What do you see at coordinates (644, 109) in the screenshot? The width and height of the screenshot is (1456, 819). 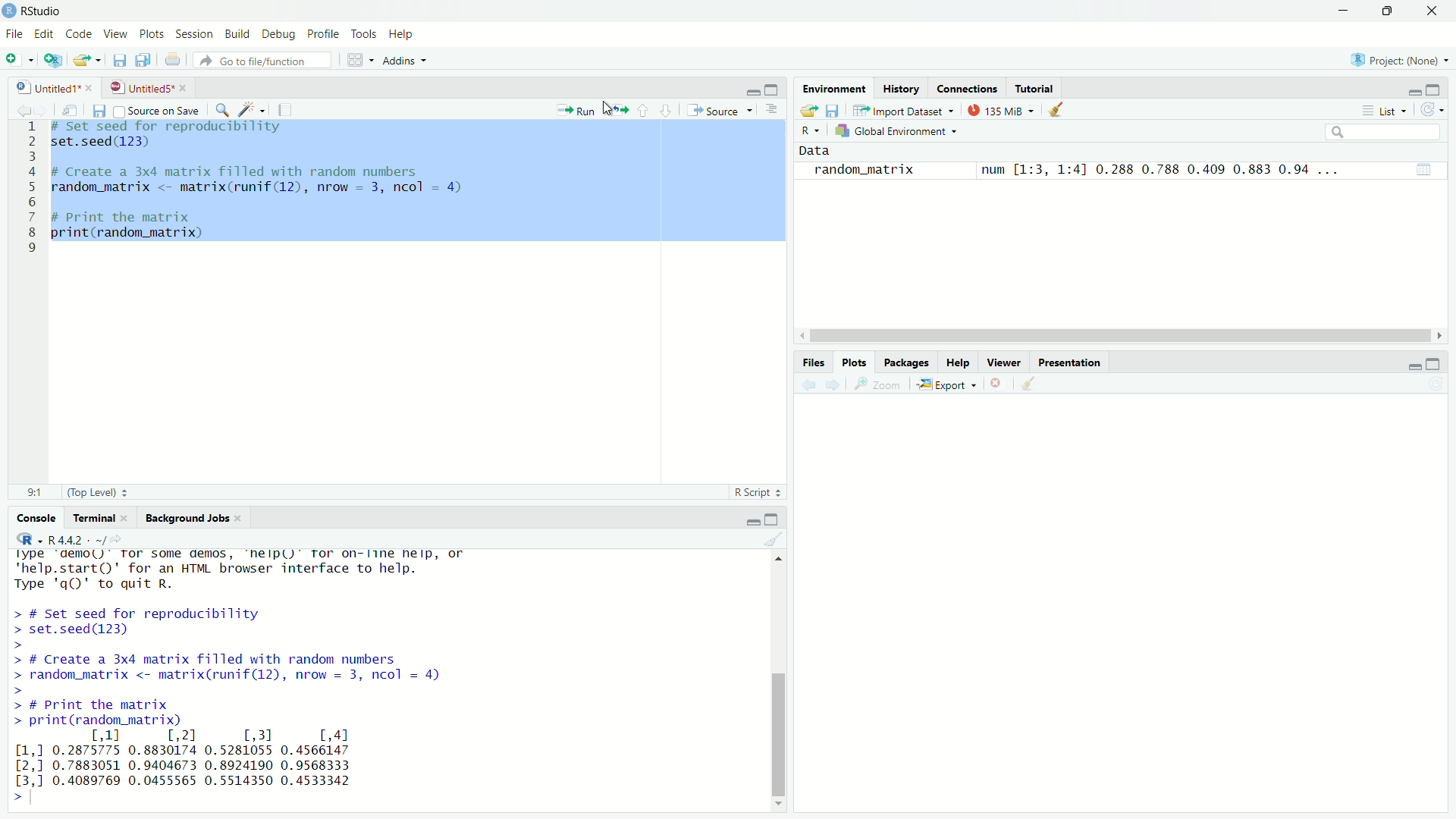 I see `upward` at bounding box center [644, 109].